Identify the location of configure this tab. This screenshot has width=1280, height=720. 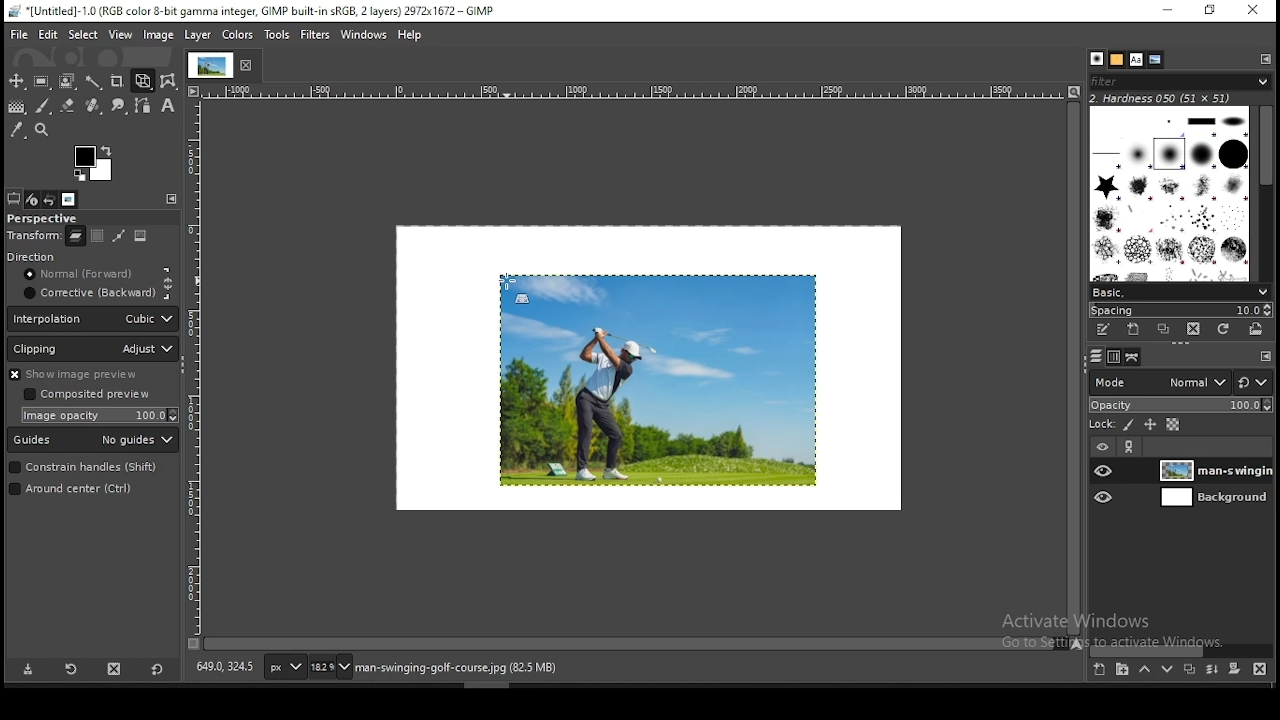
(1267, 59).